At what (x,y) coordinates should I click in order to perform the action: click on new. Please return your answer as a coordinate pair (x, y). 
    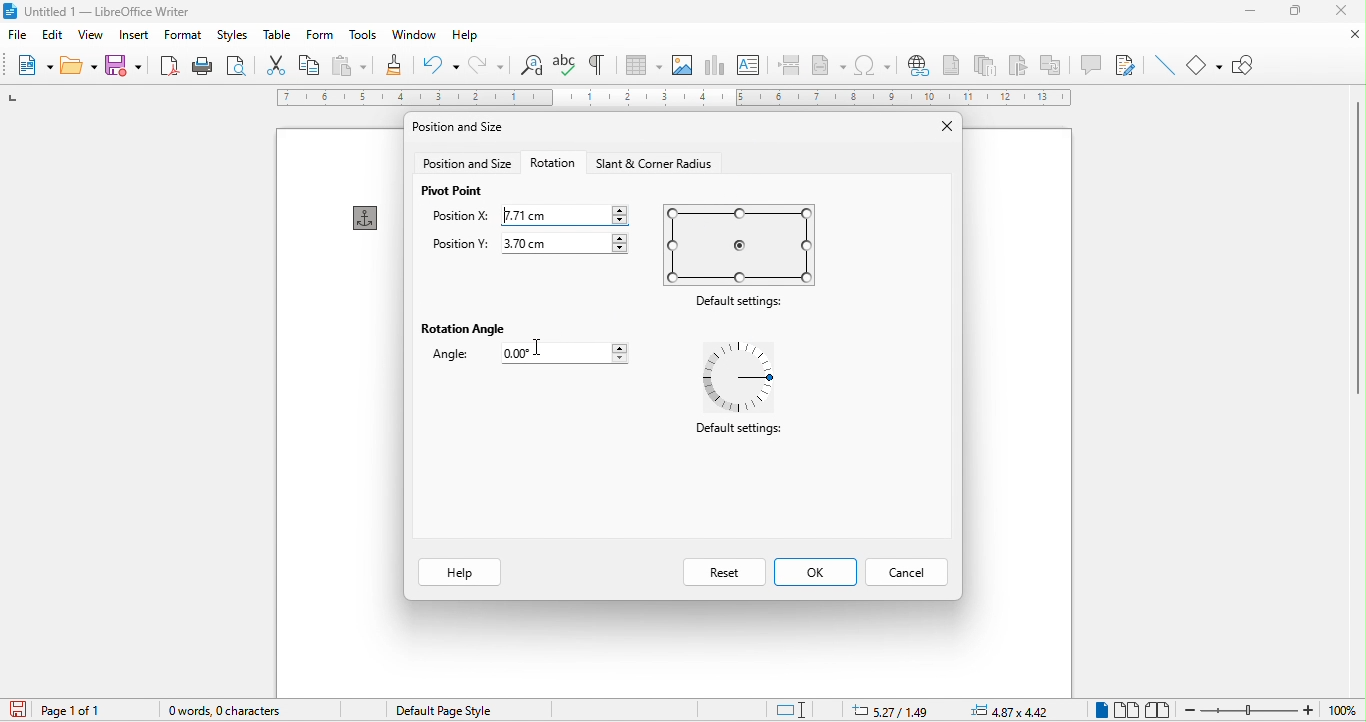
    Looking at the image, I should click on (34, 67).